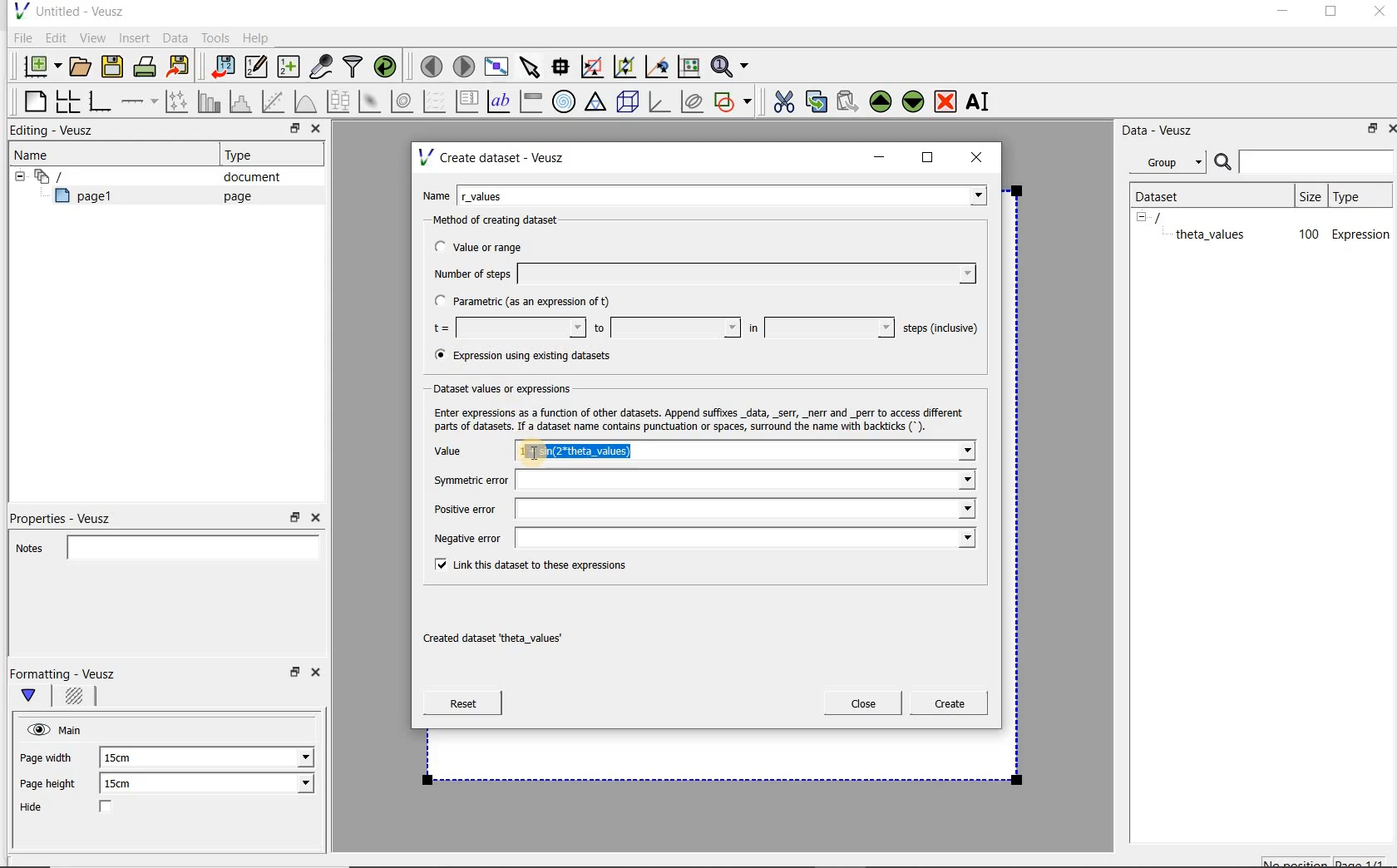 The width and height of the screenshot is (1397, 868). What do you see at coordinates (322, 69) in the screenshot?
I see `capture remote data` at bounding box center [322, 69].